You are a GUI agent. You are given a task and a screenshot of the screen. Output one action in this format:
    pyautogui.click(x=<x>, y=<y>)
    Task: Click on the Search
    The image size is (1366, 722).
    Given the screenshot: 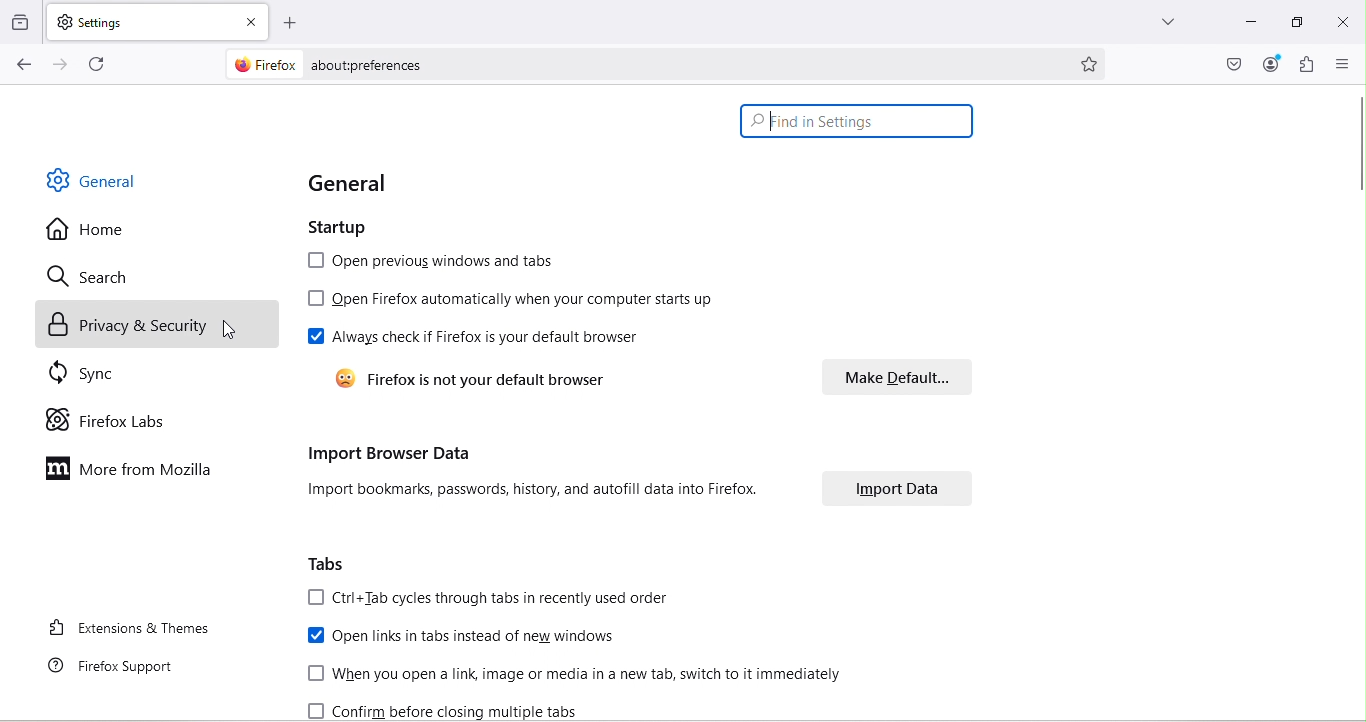 What is the action you would take?
    pyautogui.click(x=94, y=278)
    